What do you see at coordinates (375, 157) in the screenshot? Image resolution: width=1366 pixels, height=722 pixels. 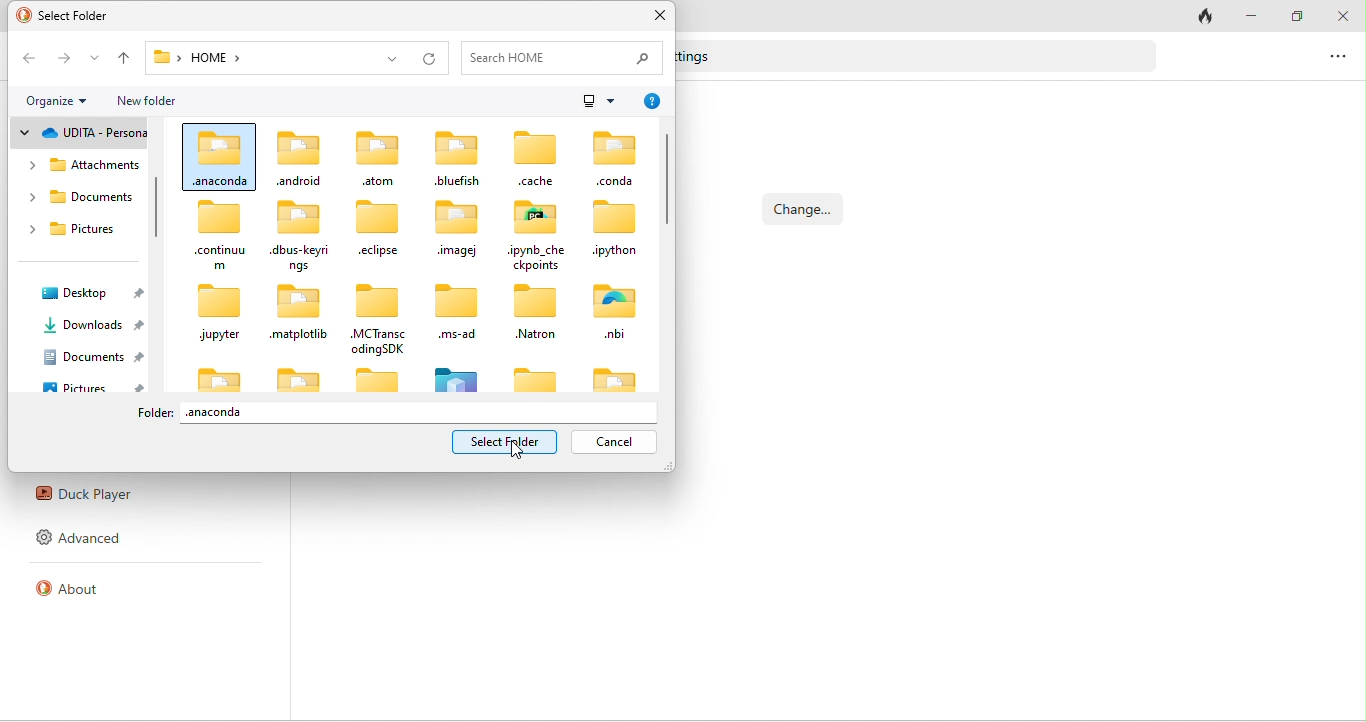 I see `.atom` at bounding box center [375, 157].